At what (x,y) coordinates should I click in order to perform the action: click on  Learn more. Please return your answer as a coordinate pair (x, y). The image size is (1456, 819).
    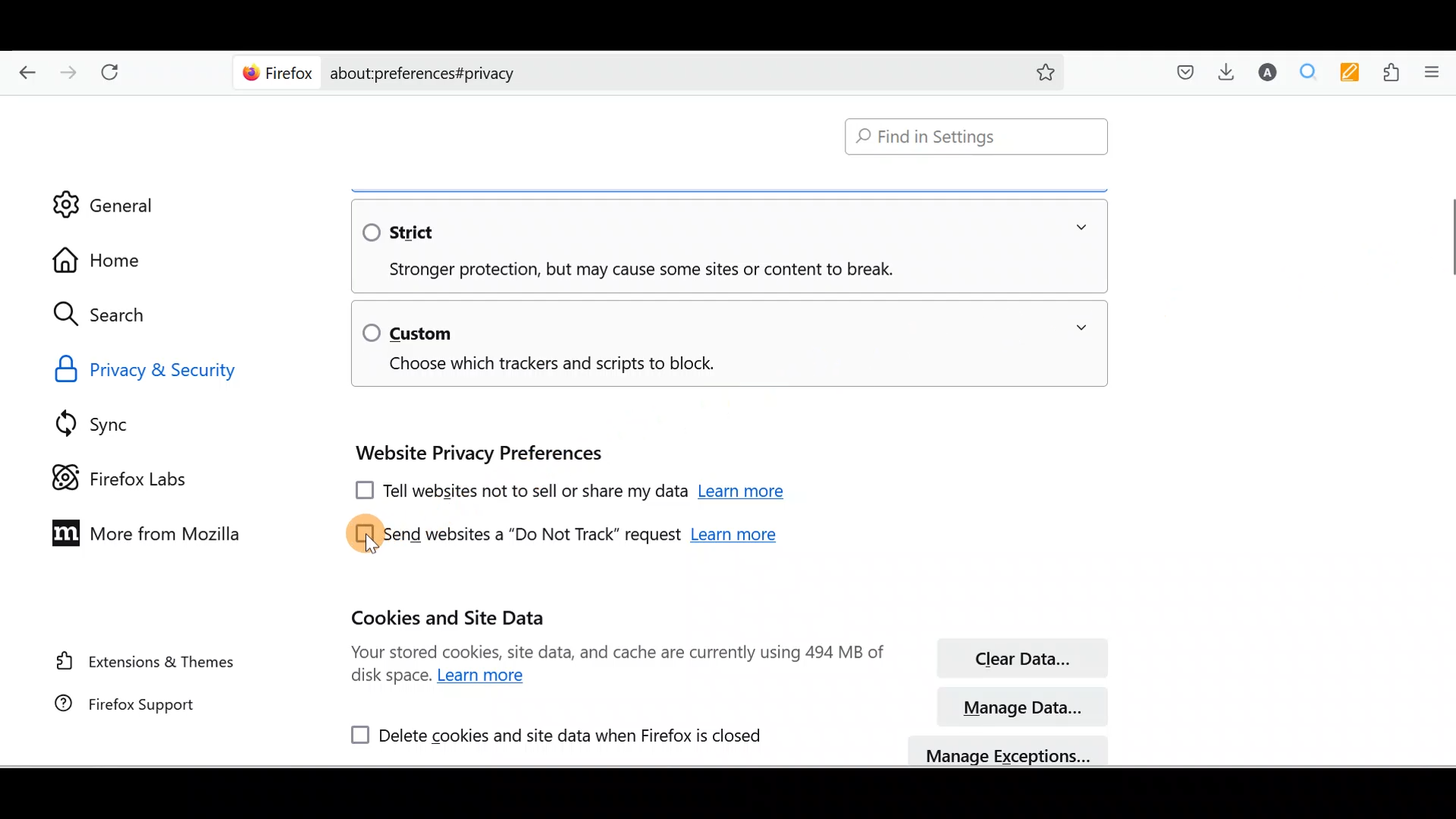
    Looking at the image, I should click on (485, 676).